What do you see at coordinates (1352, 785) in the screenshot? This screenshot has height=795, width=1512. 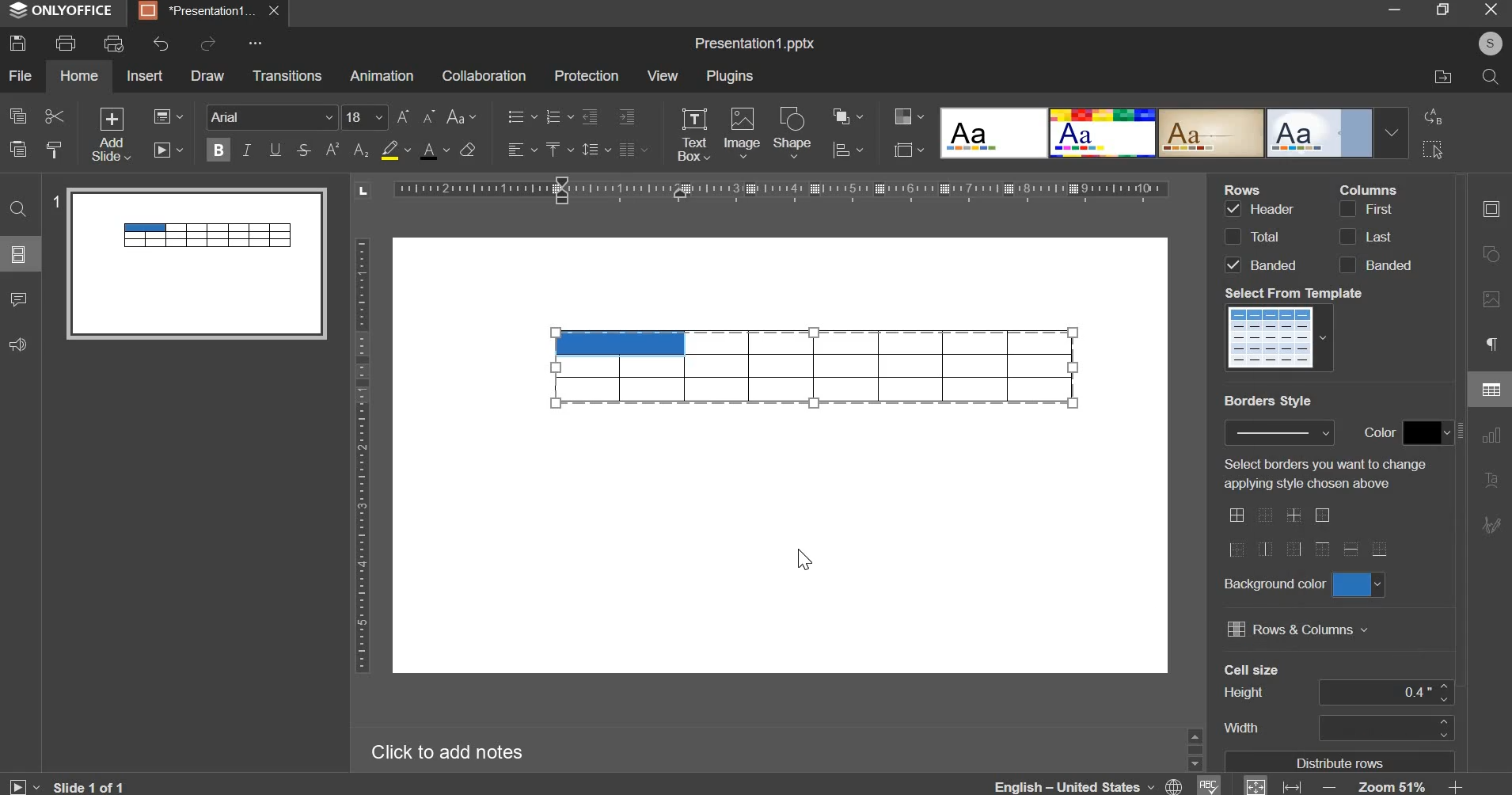 I see `zoom & fit` at bounding box center [1352, 785].